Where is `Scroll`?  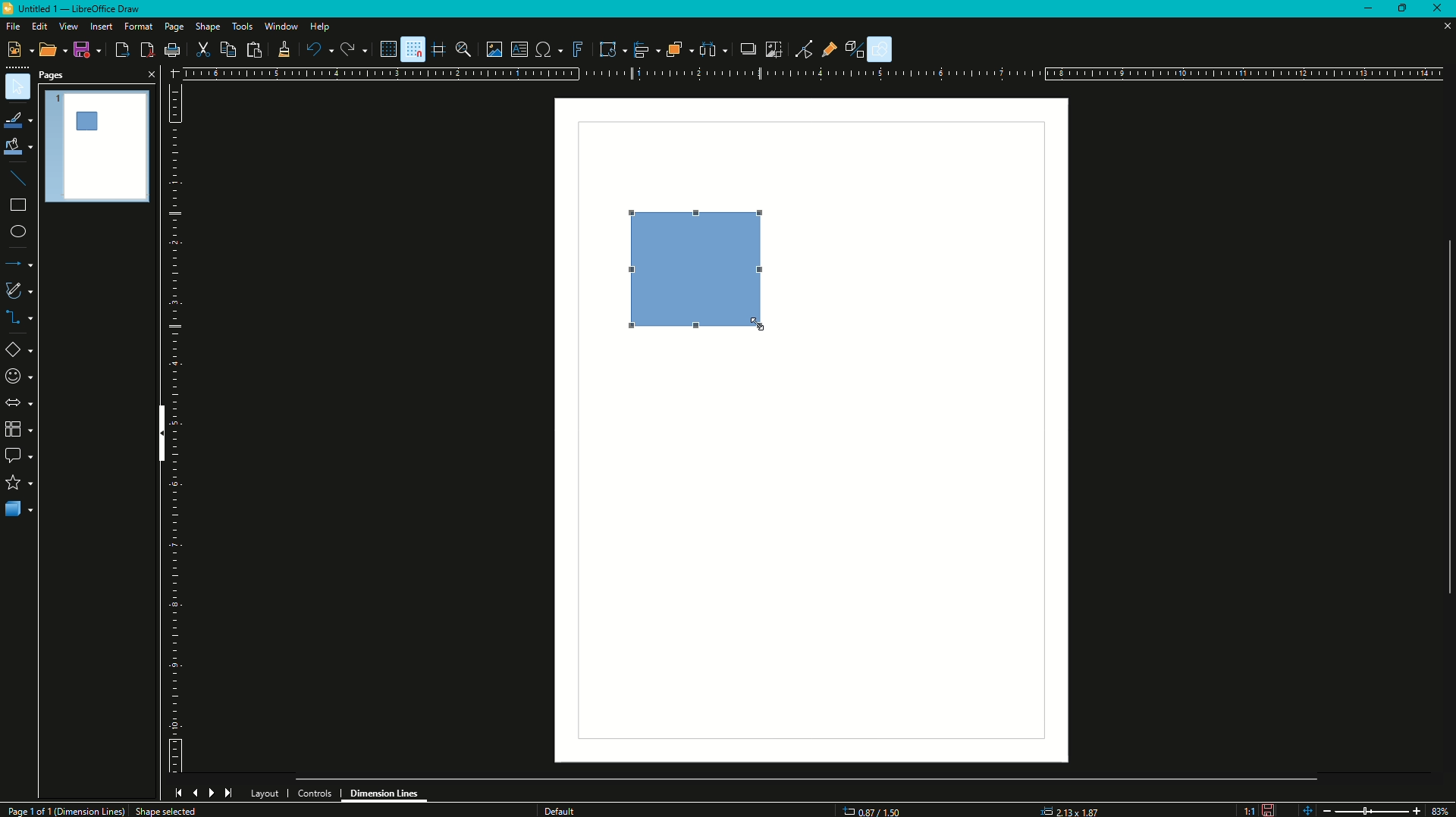 Scroll is located at coordinates (808, 777).